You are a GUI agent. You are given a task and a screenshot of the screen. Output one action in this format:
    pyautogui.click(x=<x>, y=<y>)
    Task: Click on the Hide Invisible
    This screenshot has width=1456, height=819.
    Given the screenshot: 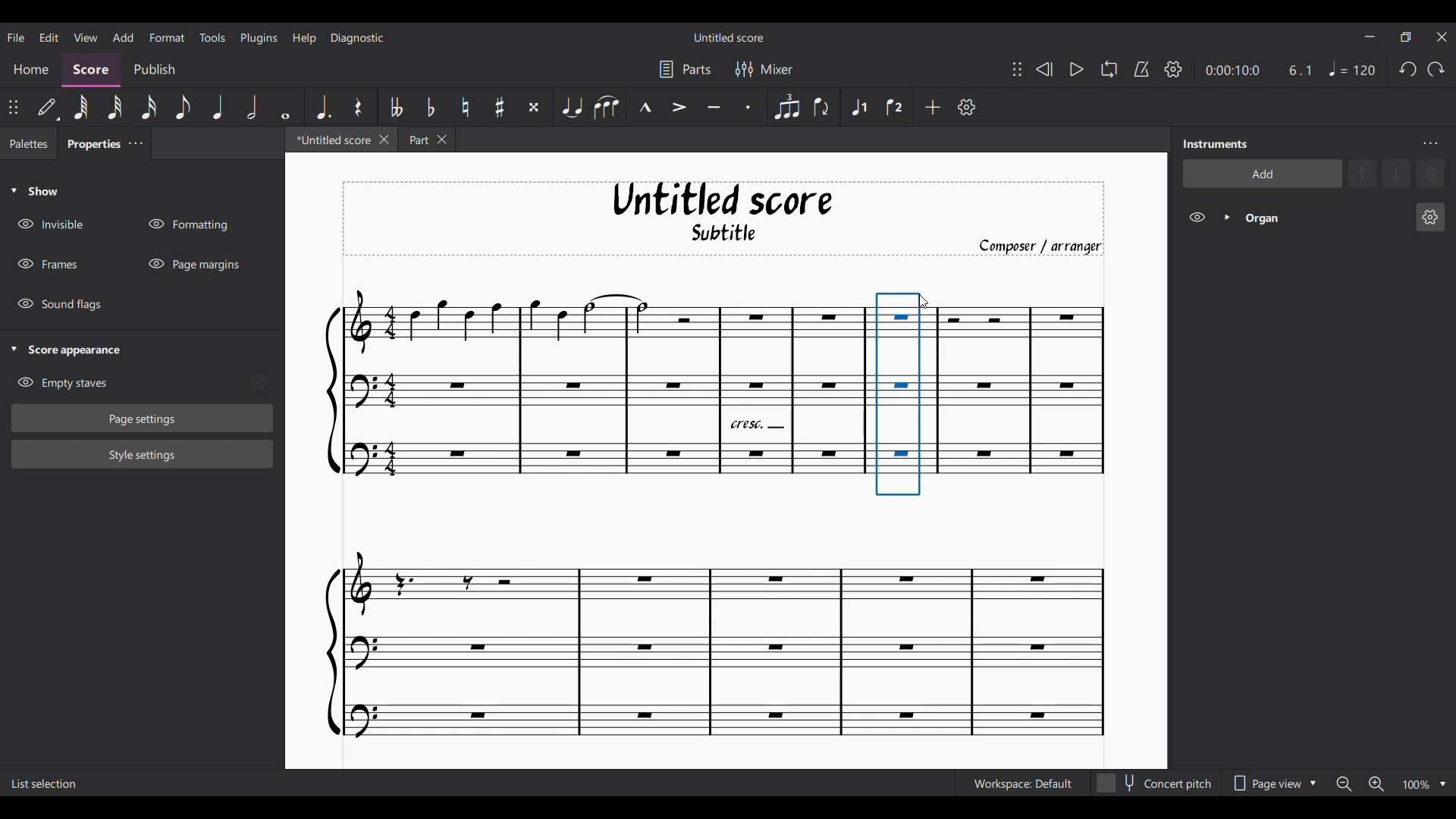 What is the action you would take?
    pyautogui.click(x=50, y=224)
    